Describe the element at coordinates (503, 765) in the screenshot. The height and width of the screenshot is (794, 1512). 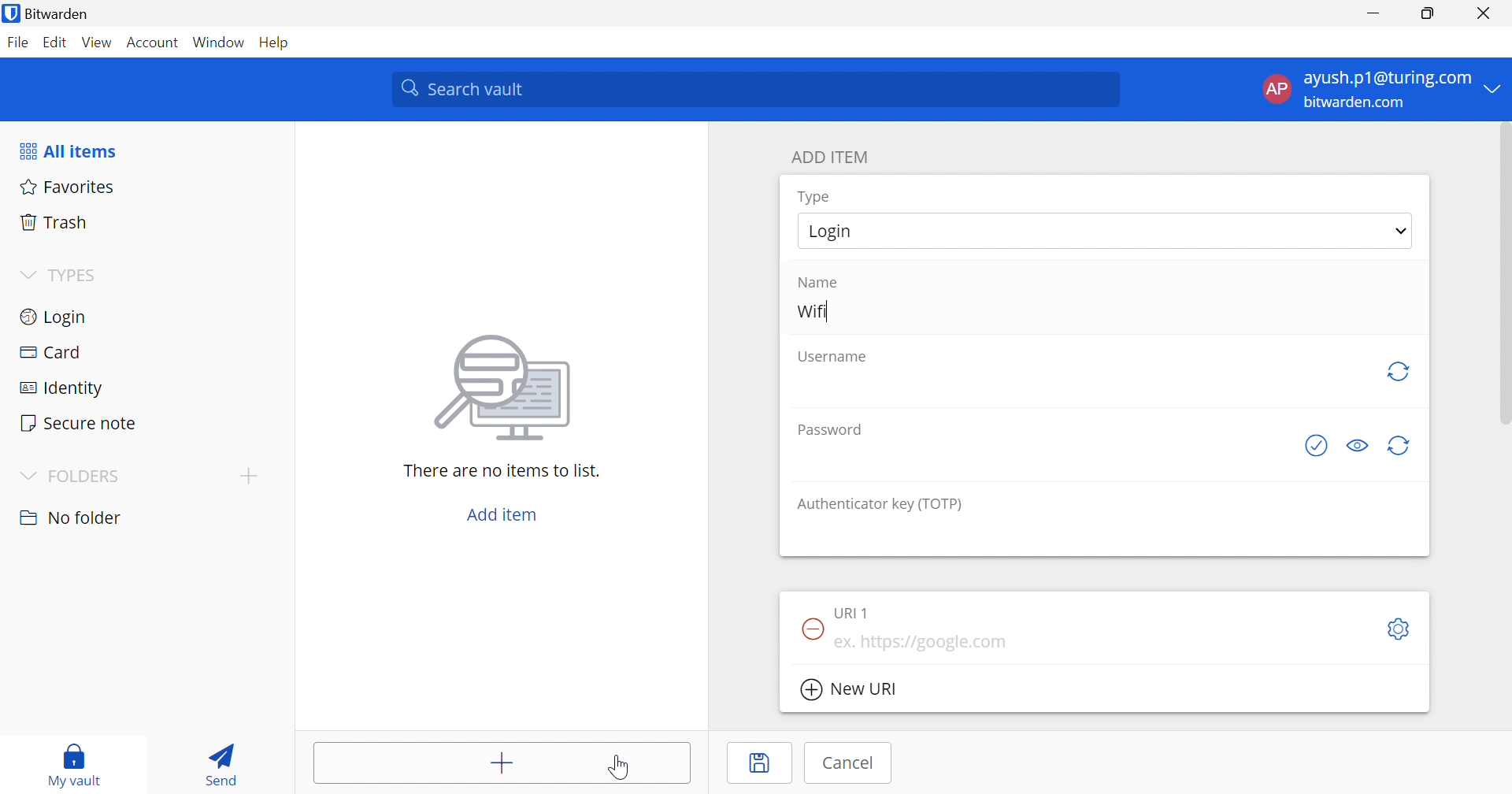
I see `Add item` at that location.